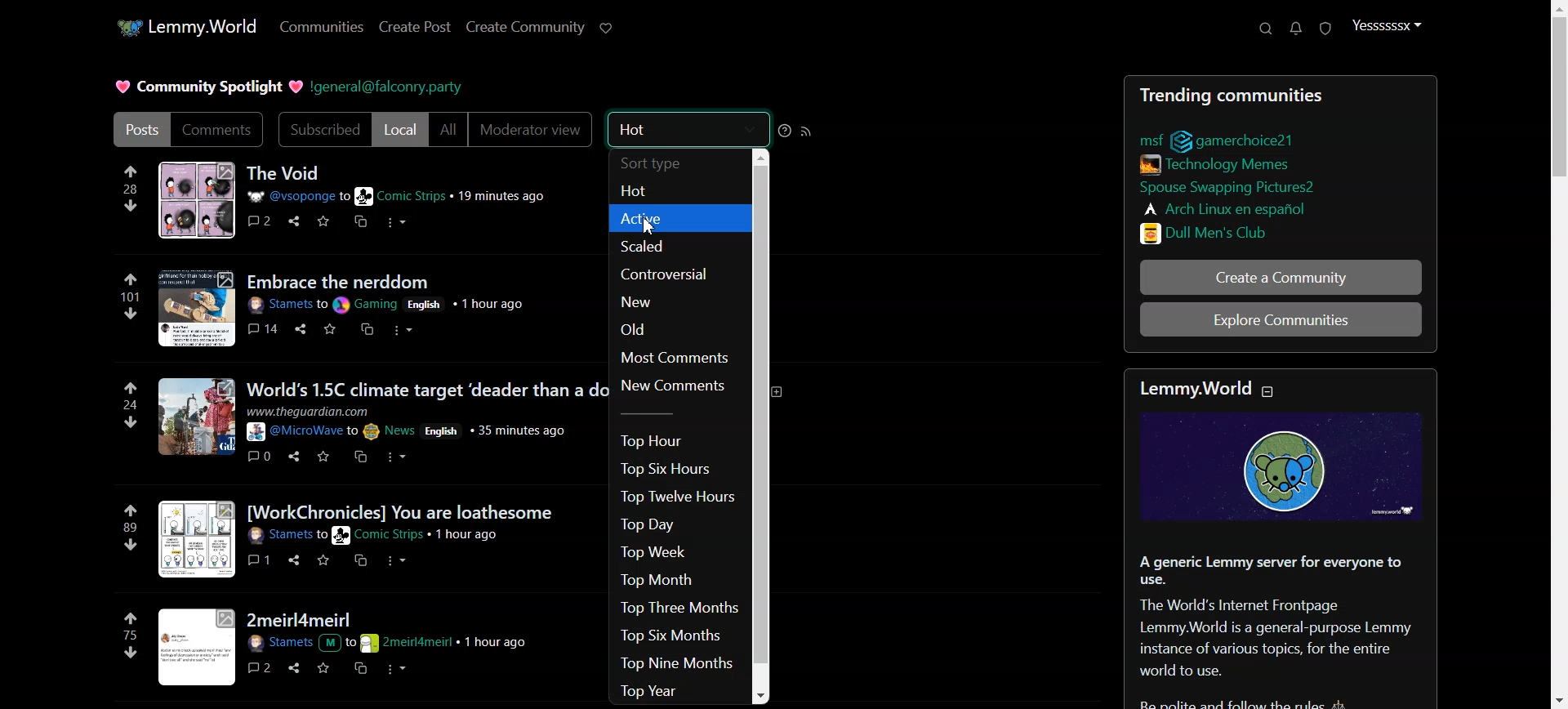 The image size is (1568, 709). Describe the element at coordinates (1220, 163) in the screenshot. I see `LInks` at that location.